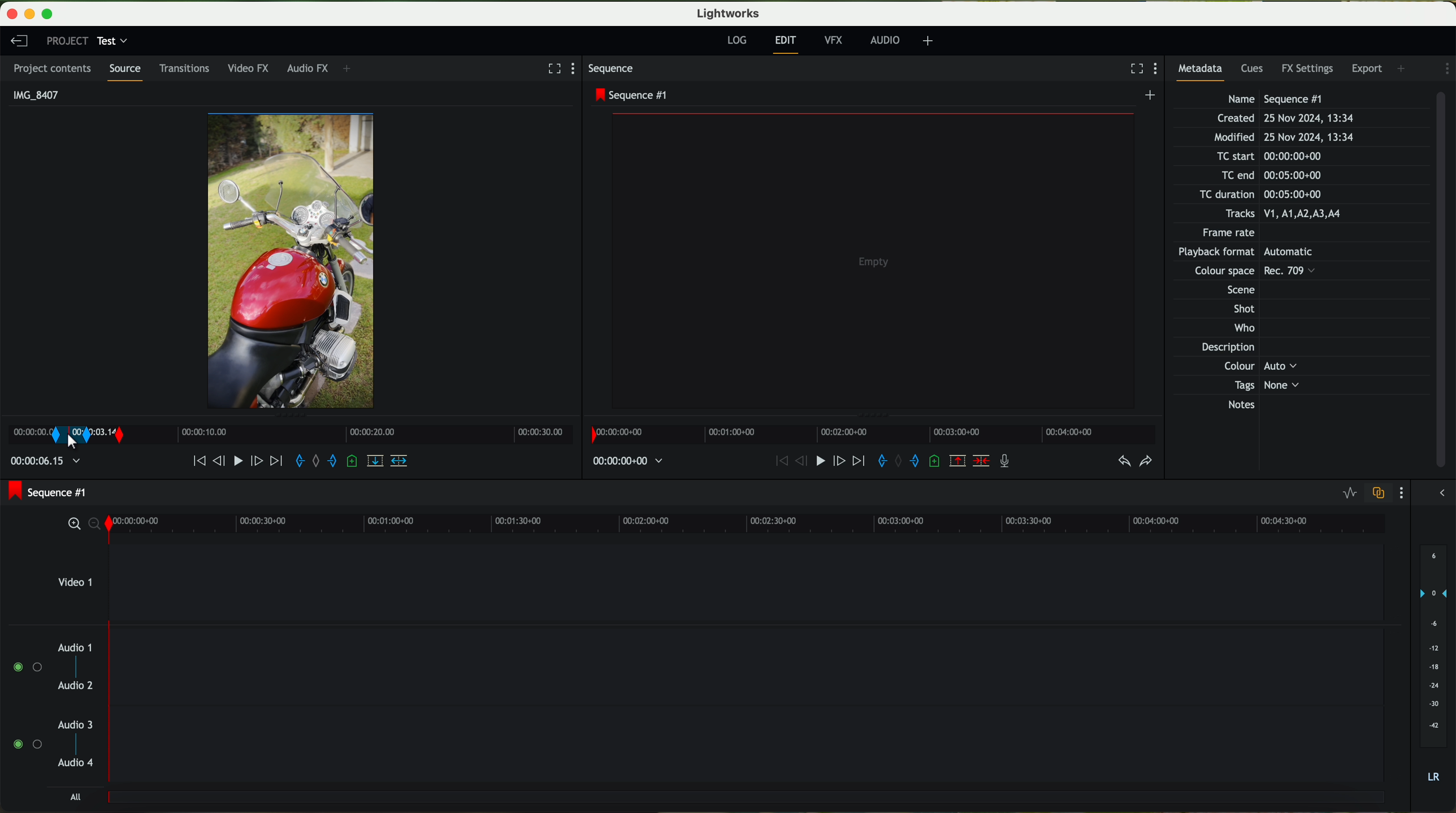 The image size is (1456, 813). I want to click on  play, so click(241, 461).